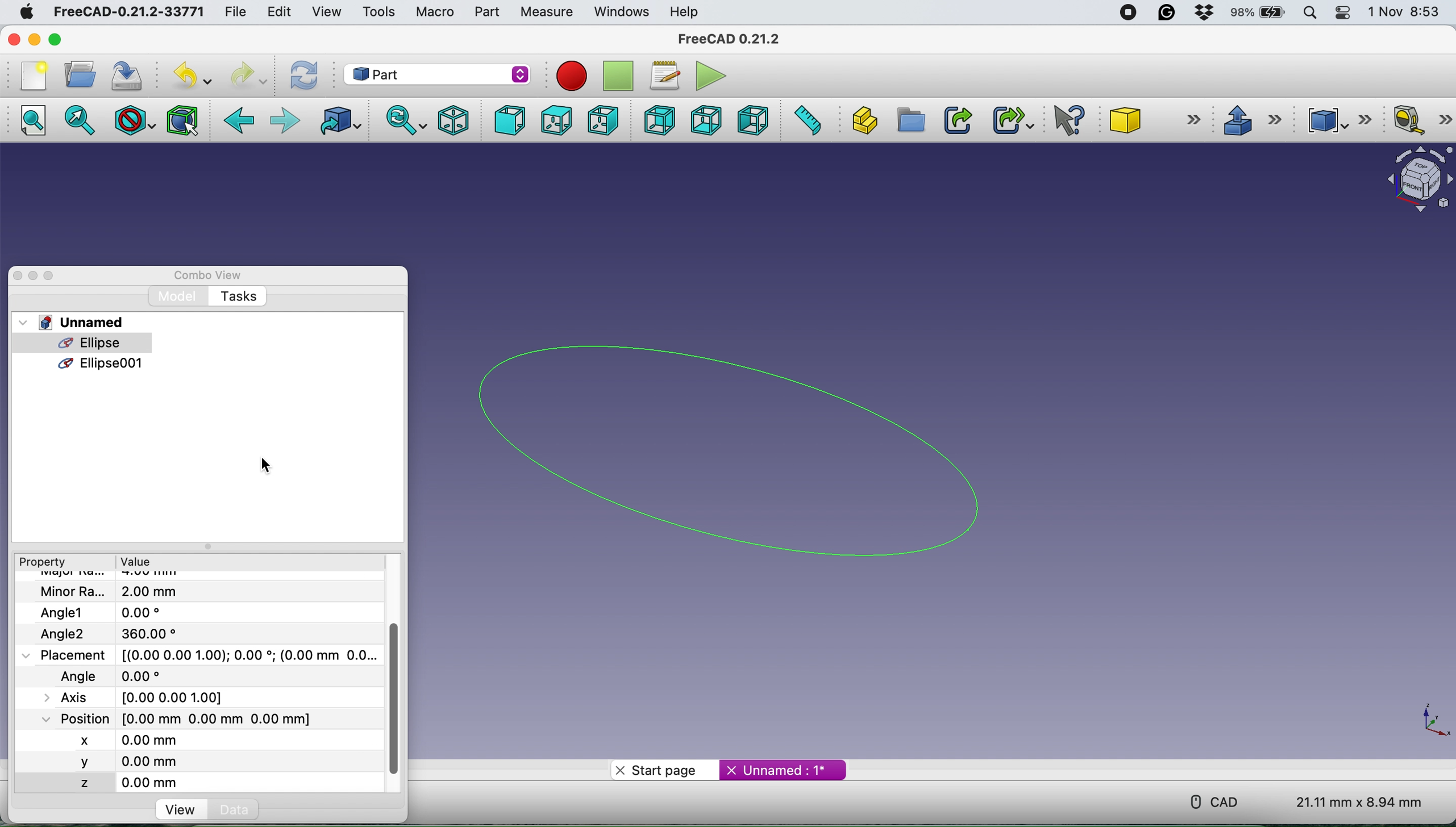 This screenshot has width=1456, height=827. What do you see at coordinates (1168, 12) in the screenshot?
I see `grammarly` at bounding box center [1168, 12].